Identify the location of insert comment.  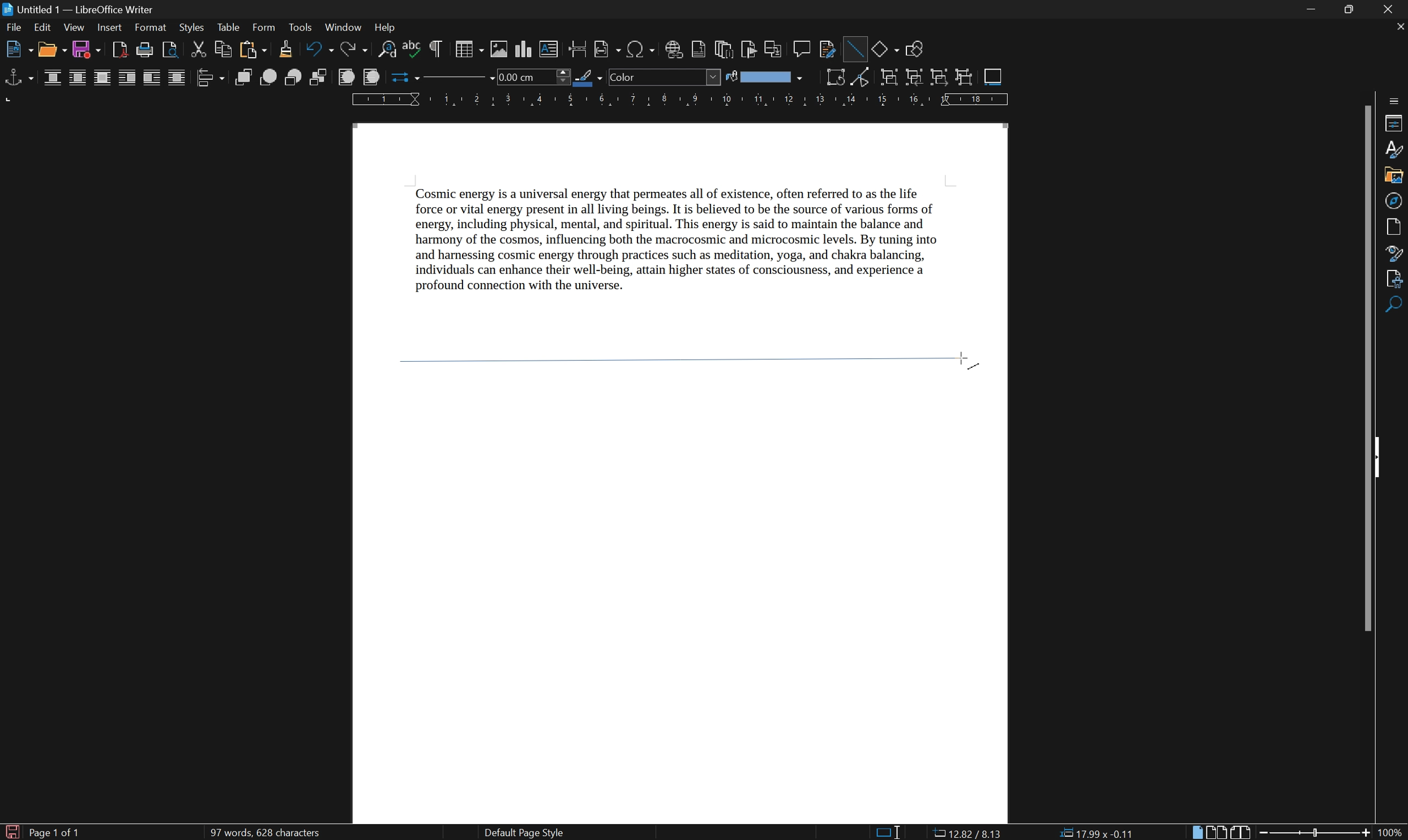
(803, 48).